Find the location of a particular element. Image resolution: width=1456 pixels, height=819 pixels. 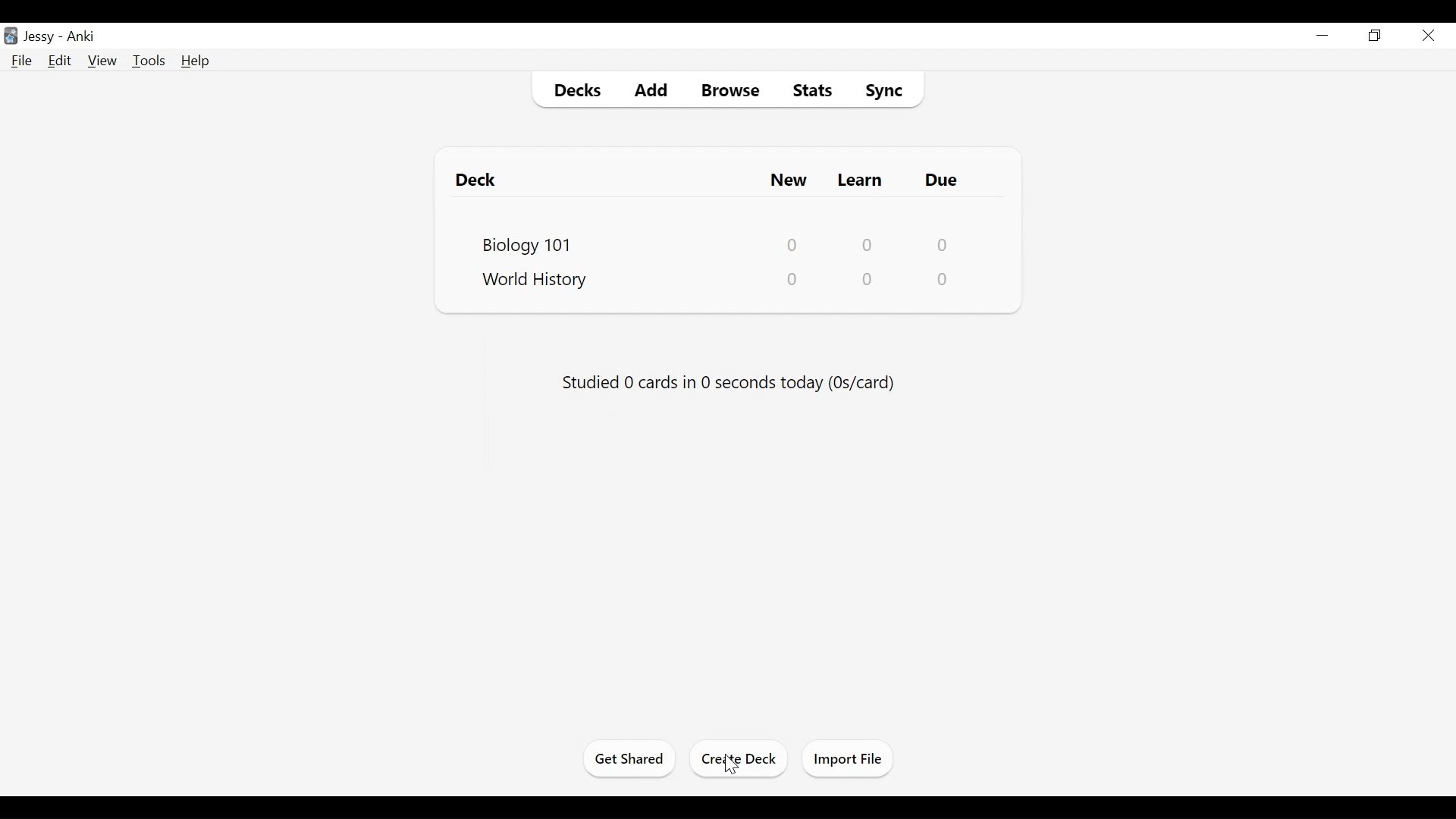

Add is located at coordinates (650, 88).